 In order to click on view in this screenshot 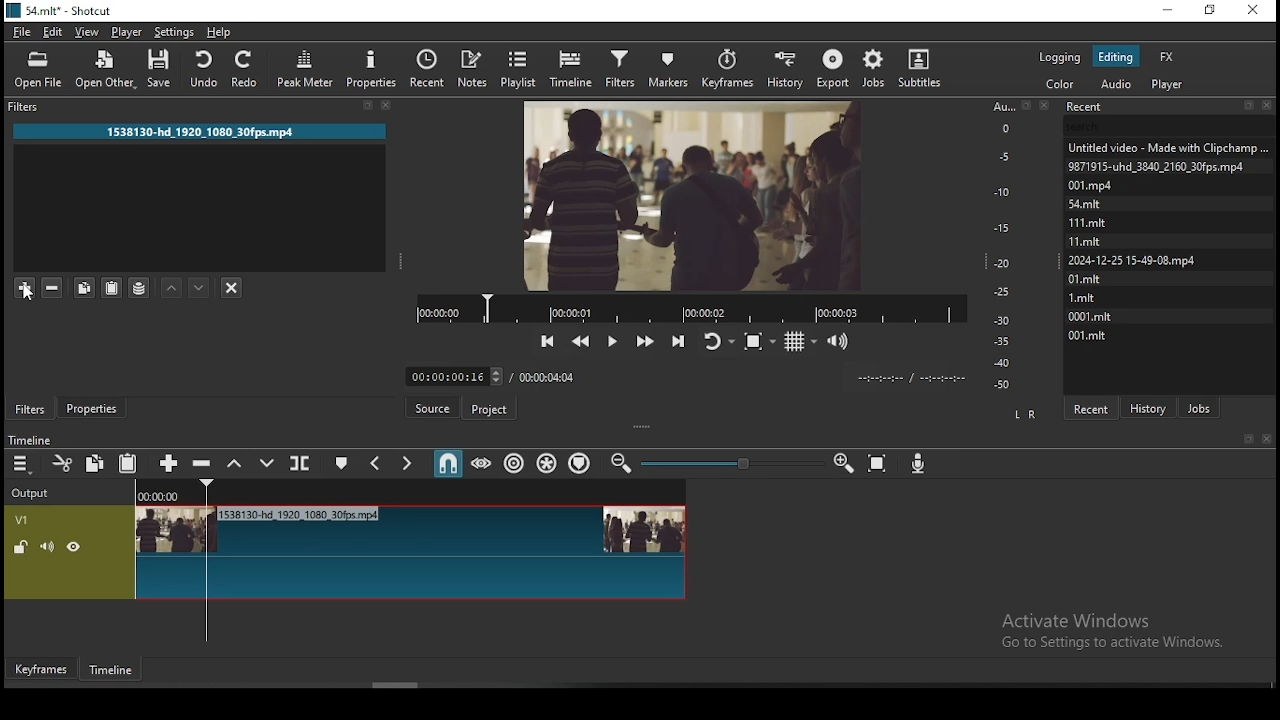, I will do `click(88, 32)`.